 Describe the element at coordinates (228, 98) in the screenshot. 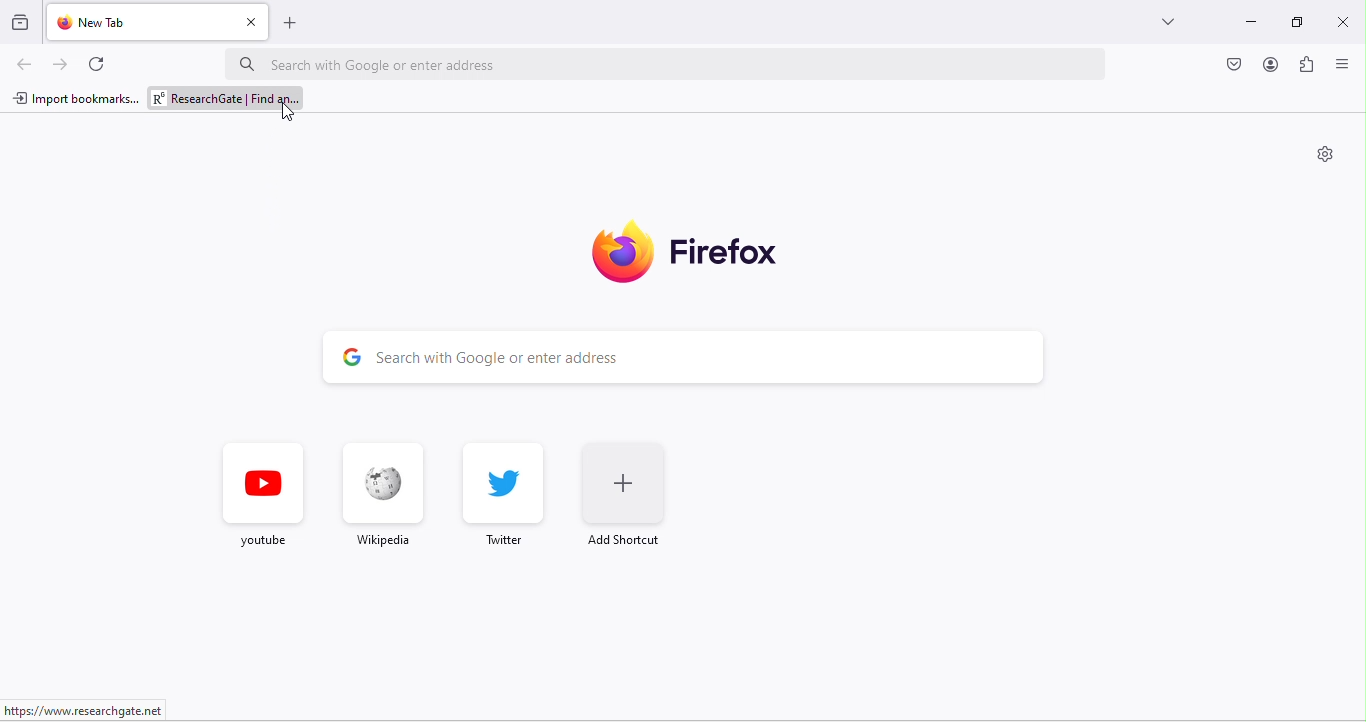

I see `research gate | find an` at that location.